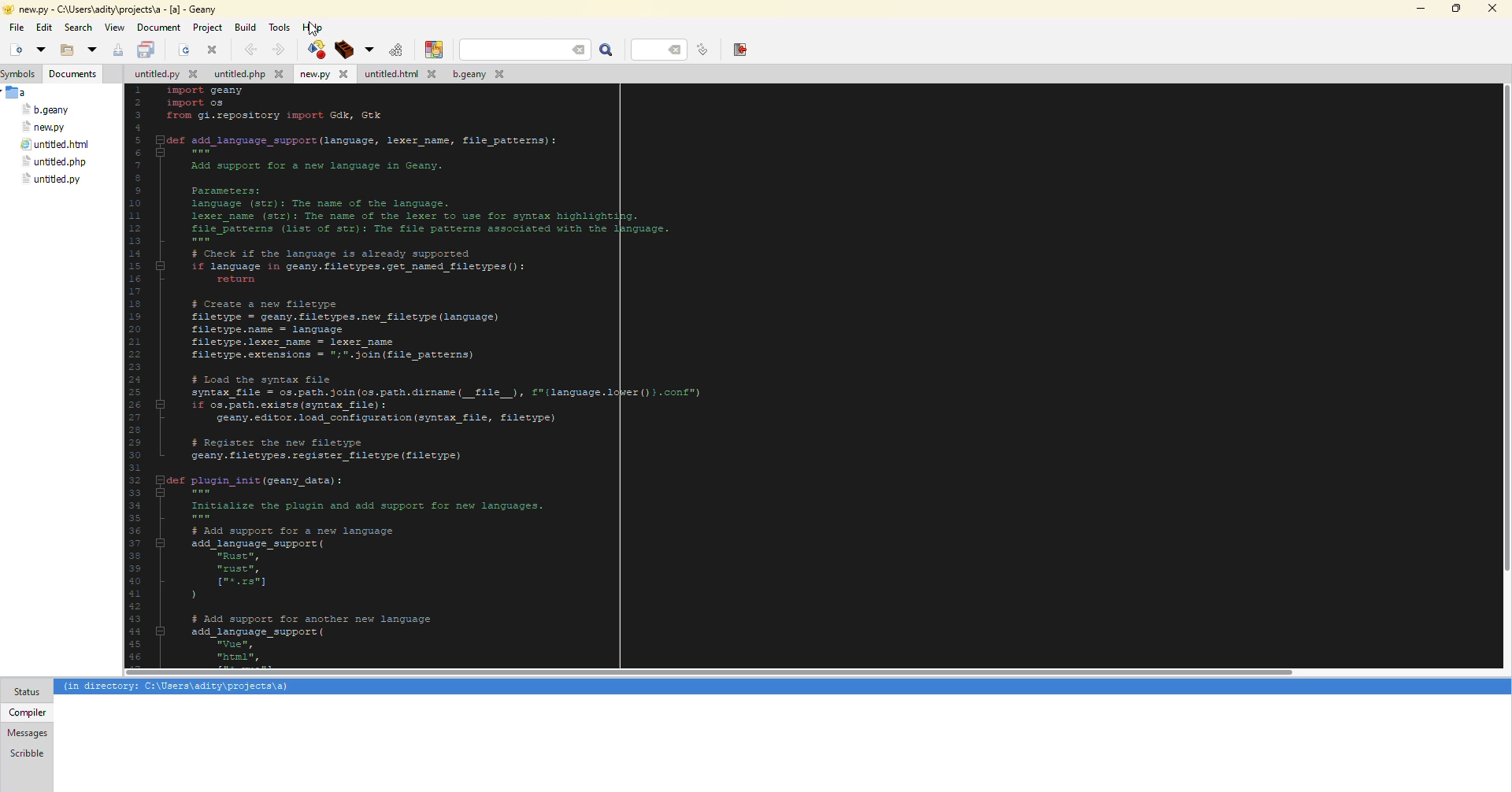  Describe the element at coordinates (39, 49) in the screenshot. I see `open` at that location.